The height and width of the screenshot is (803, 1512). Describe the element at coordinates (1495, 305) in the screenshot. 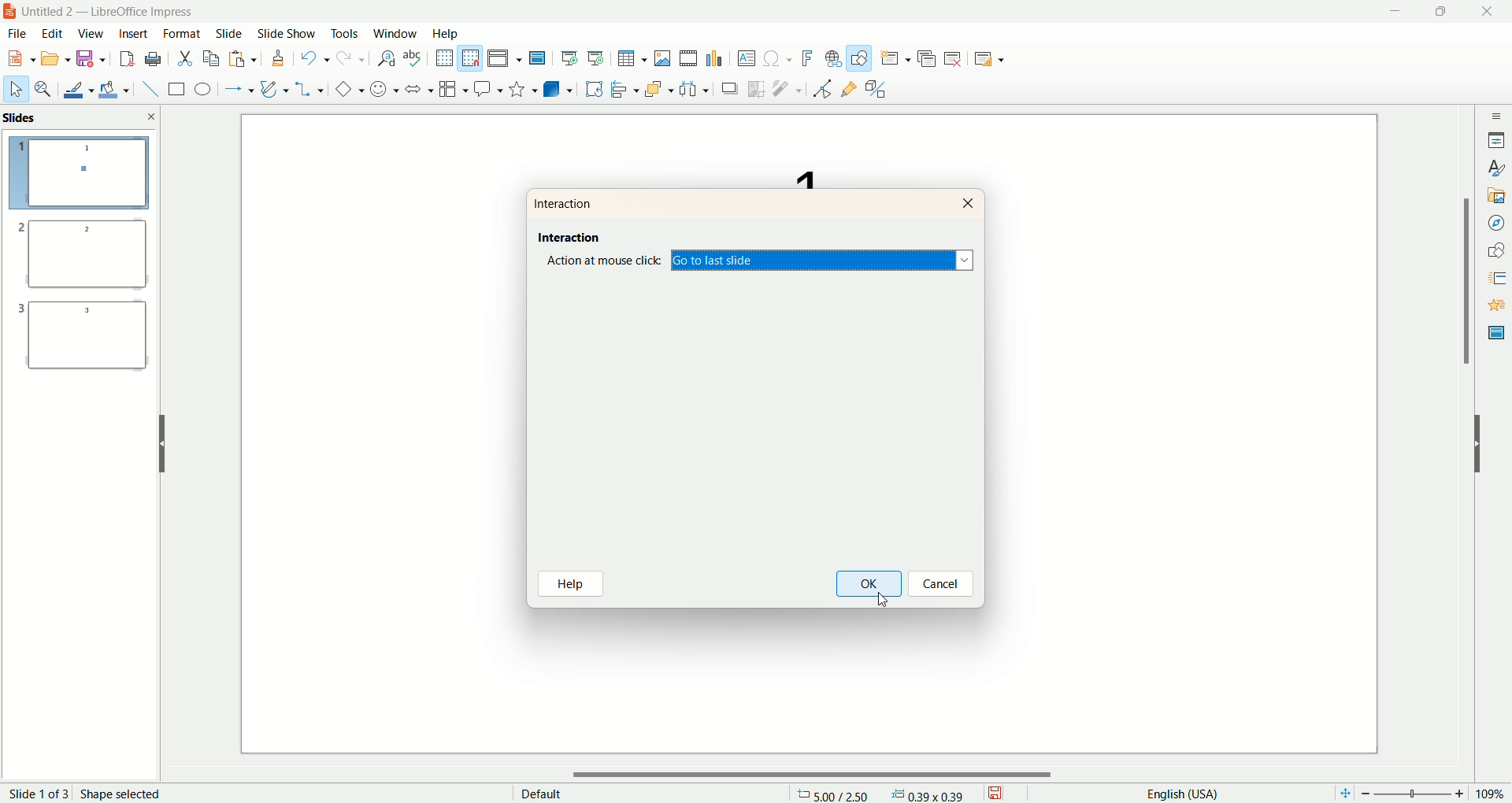

I see `animation` at that location.